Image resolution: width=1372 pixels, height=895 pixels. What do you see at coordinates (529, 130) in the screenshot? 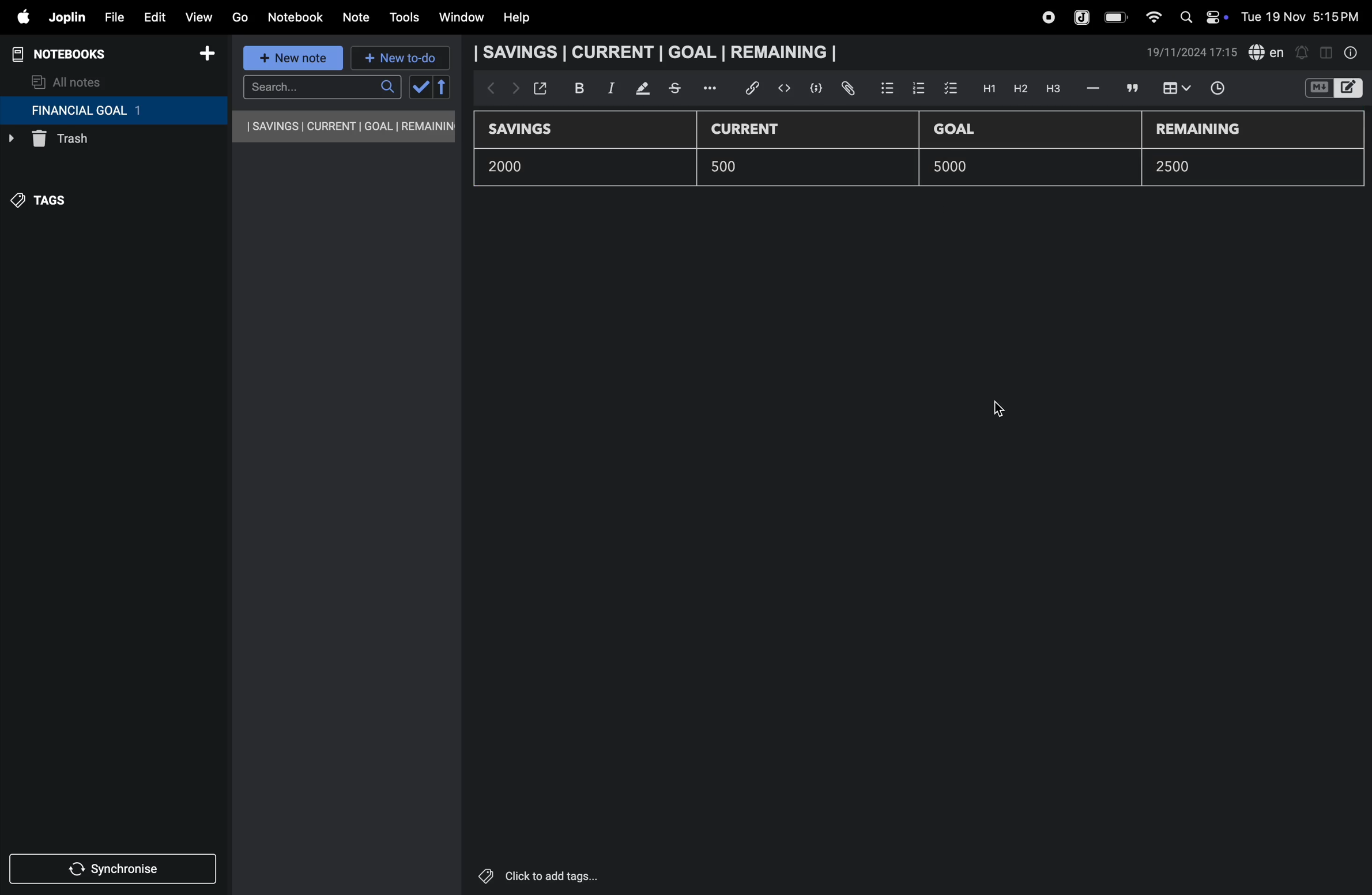
I see `savings` at bounding box center [529, 130].